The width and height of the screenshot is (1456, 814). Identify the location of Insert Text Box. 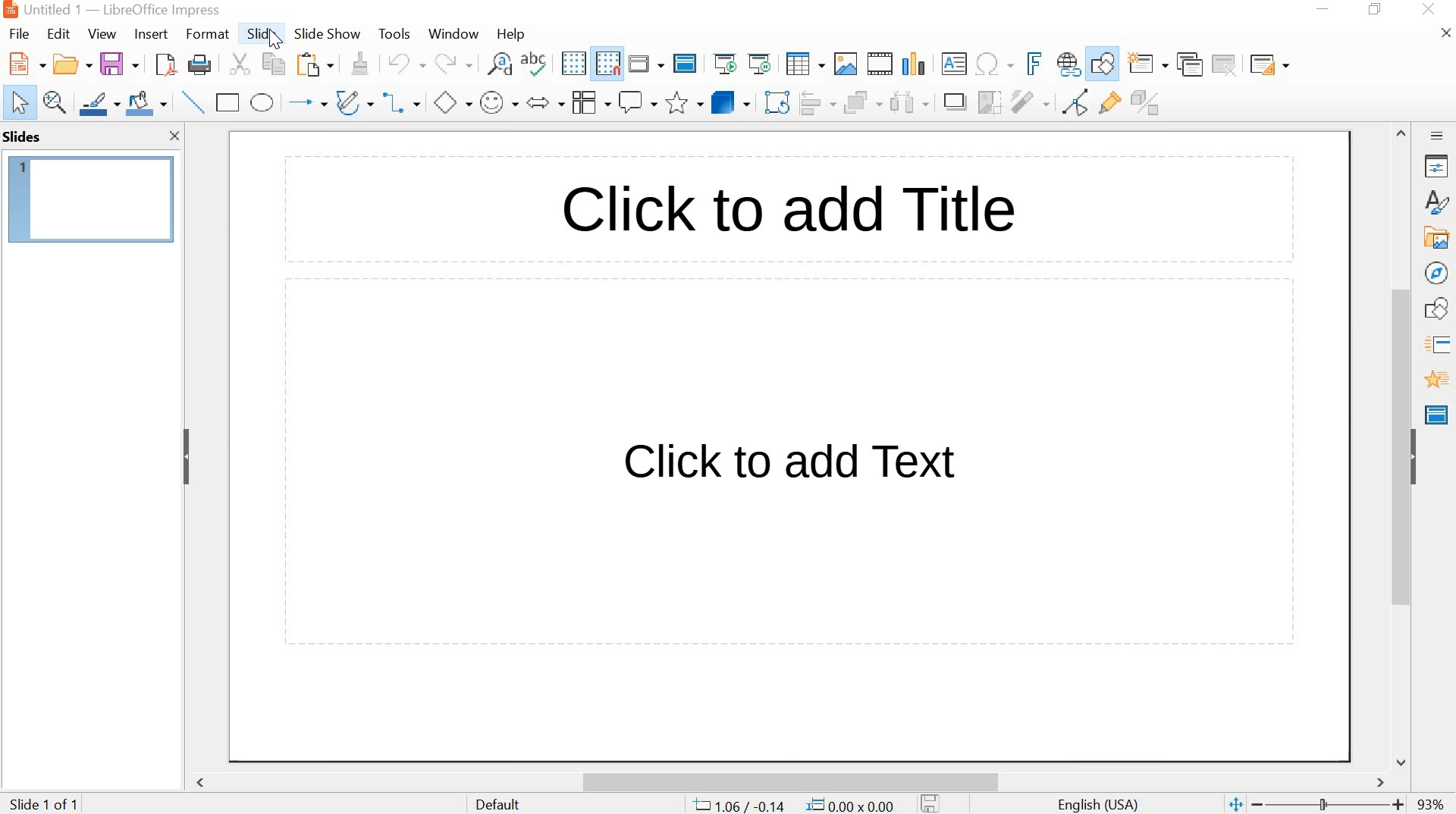
(954, 64).